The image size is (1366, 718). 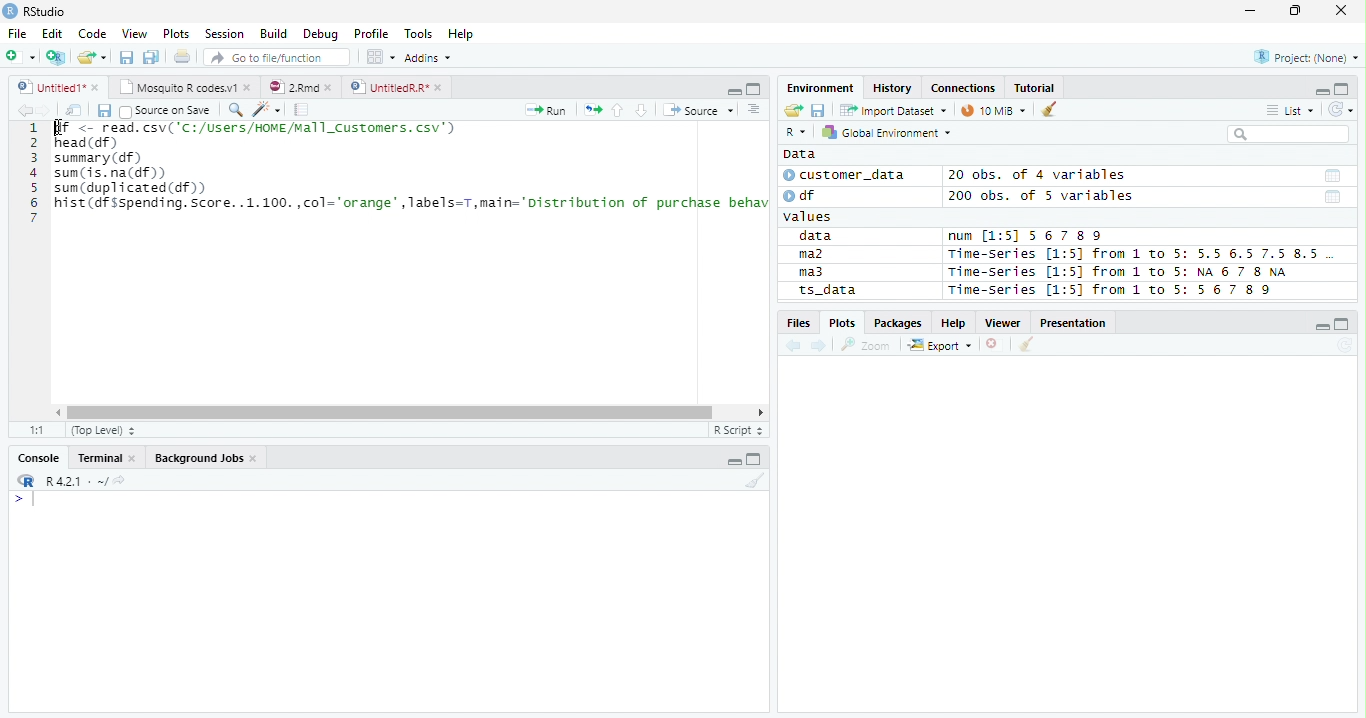 What do you see at coordinates (753, 88) in the screenshot?
I see `Maximize` at bounding box center [753, 88].